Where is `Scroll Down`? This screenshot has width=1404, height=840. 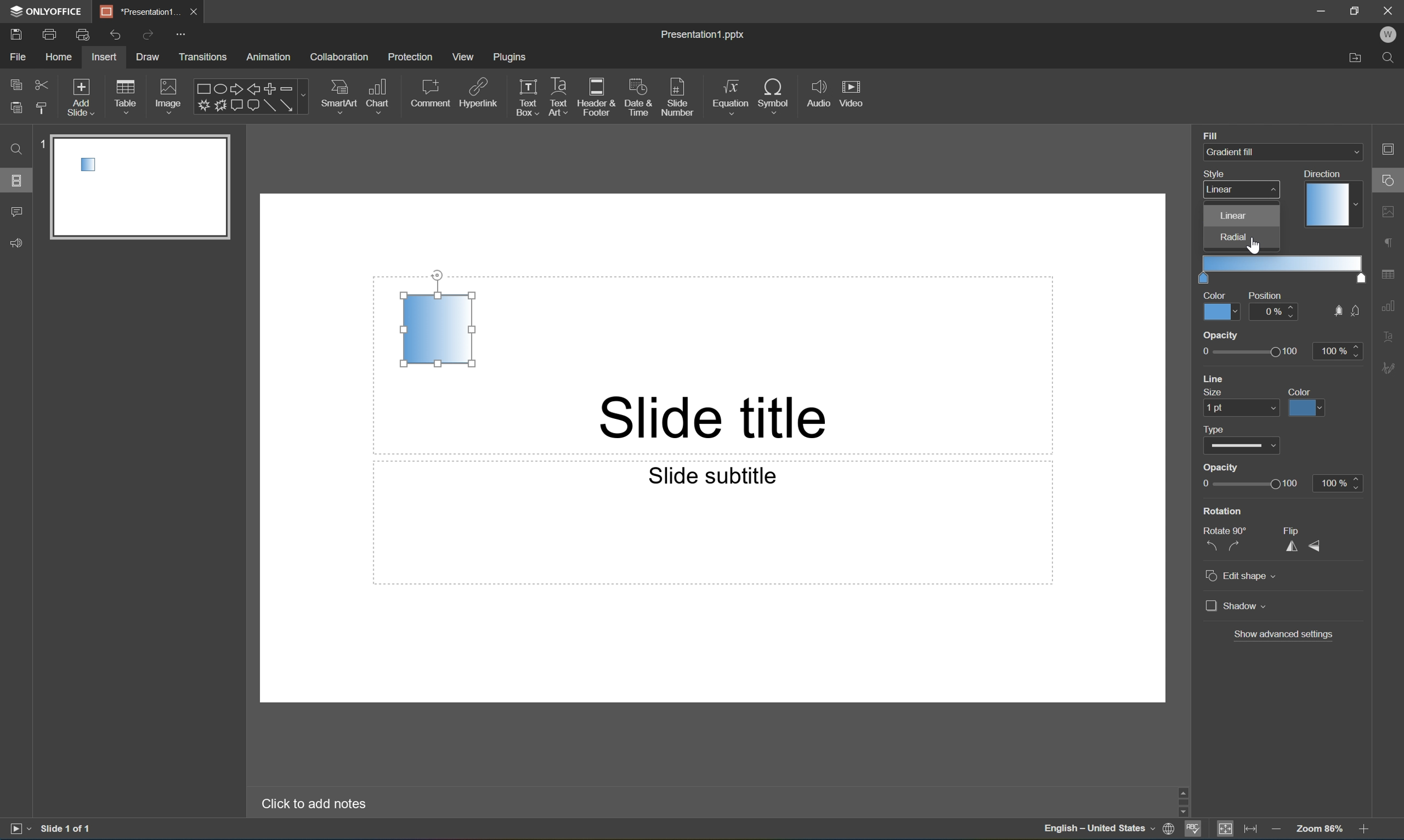
Scroll Down is located at coordinates (1364, 812).